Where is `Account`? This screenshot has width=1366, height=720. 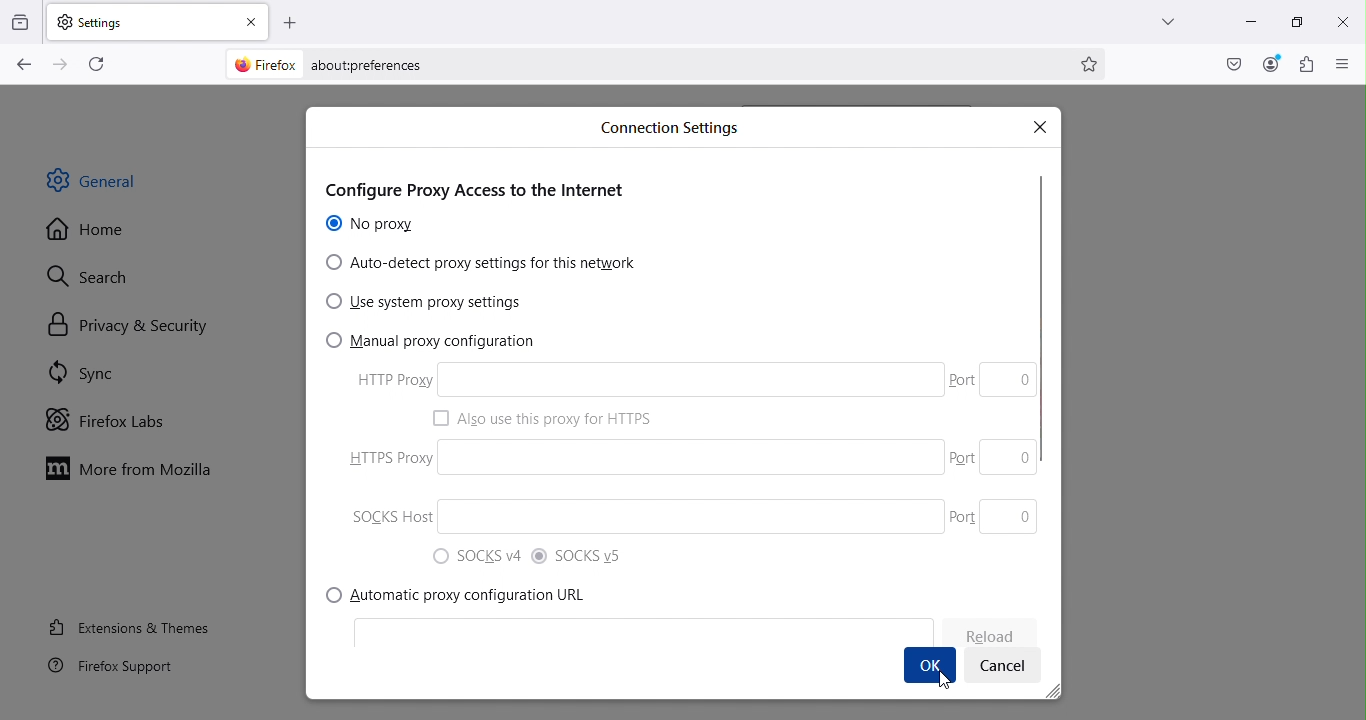
Account is located at coordinates (1269, 63).